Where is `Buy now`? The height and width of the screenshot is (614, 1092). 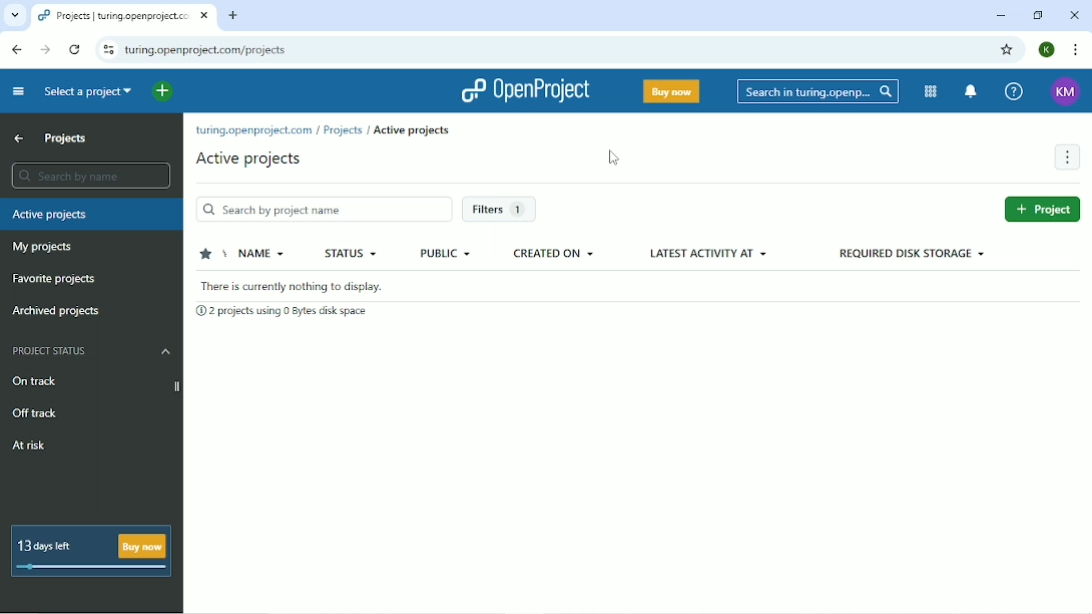 Buy now is located at coordinates (145, 542).